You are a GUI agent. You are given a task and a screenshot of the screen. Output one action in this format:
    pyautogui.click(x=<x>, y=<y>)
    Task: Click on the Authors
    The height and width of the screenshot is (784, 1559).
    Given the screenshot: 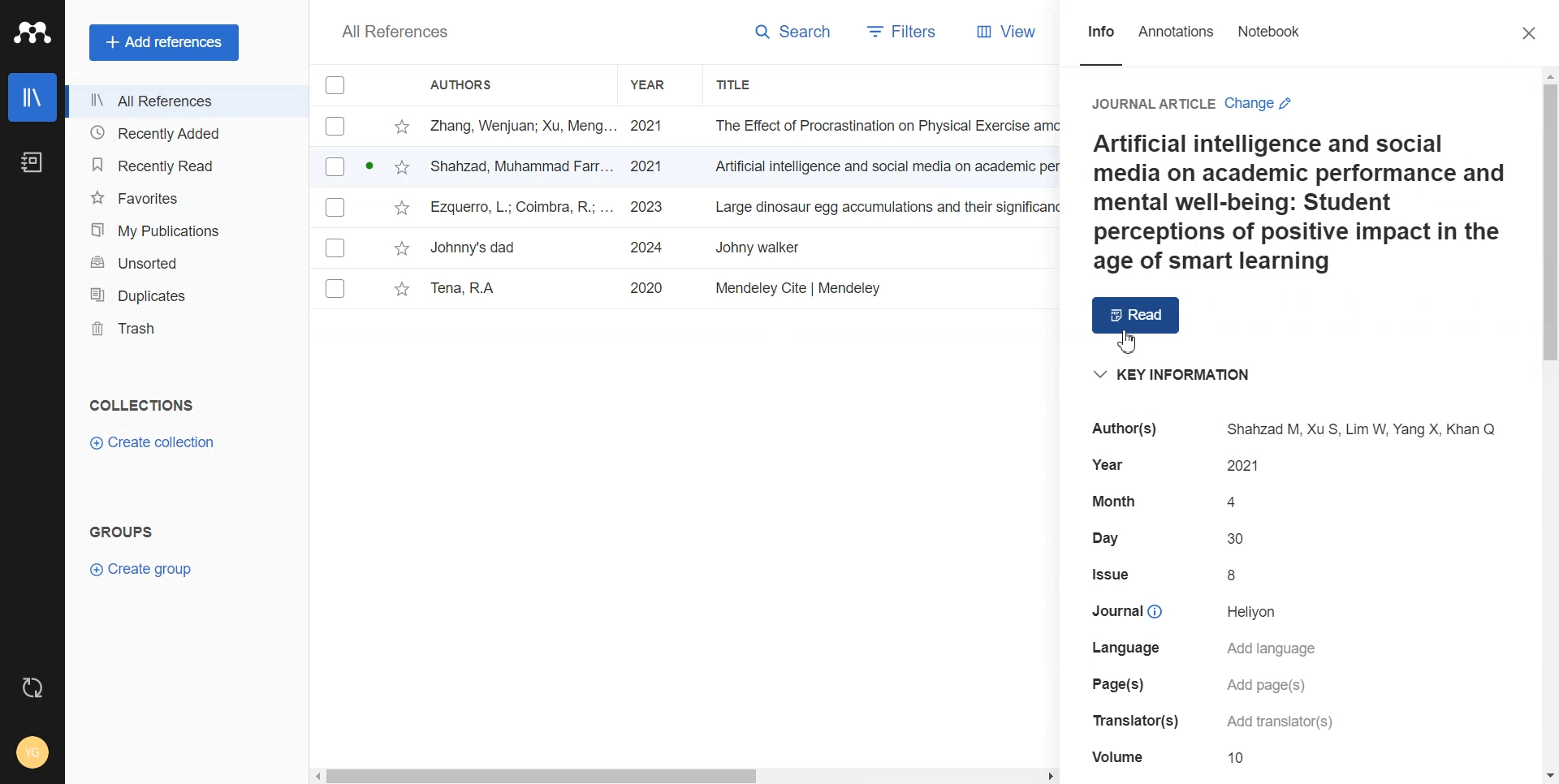 What is the action you would take?
    pyautogui.click(x=470, y=84)
    